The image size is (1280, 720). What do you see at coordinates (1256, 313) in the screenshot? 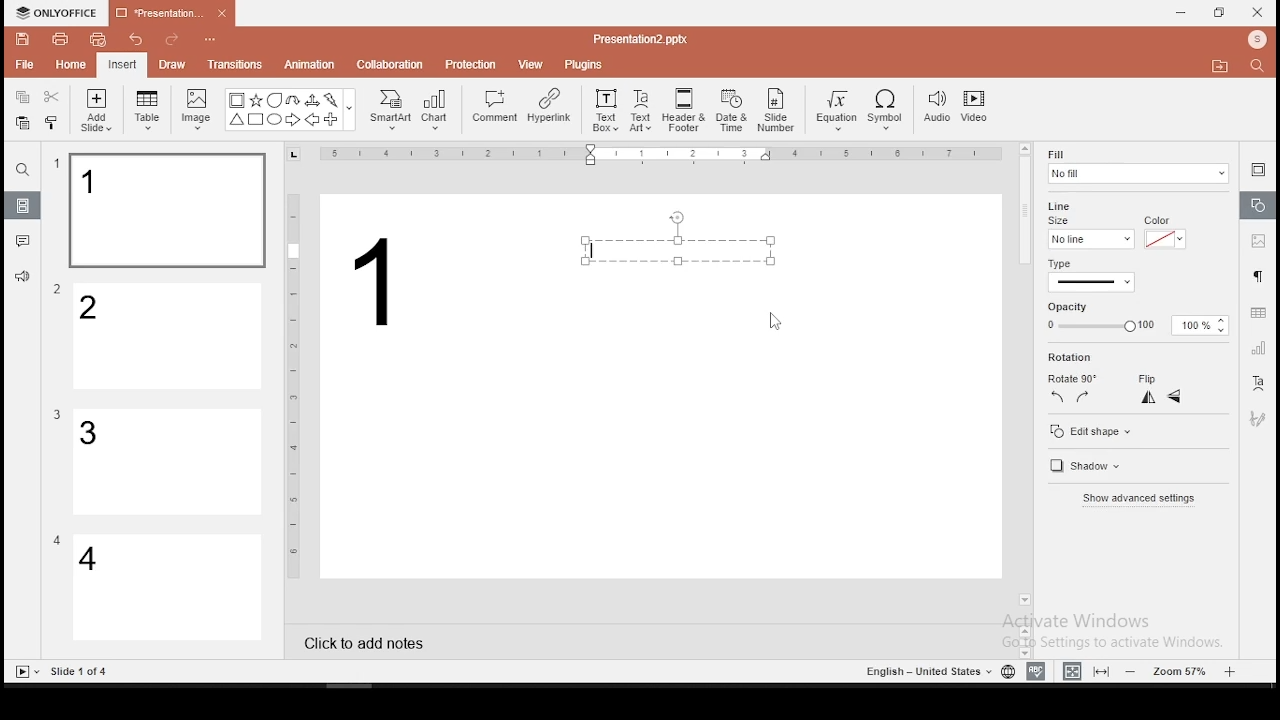
I see `table settings` at bounding box center [1256, 313].